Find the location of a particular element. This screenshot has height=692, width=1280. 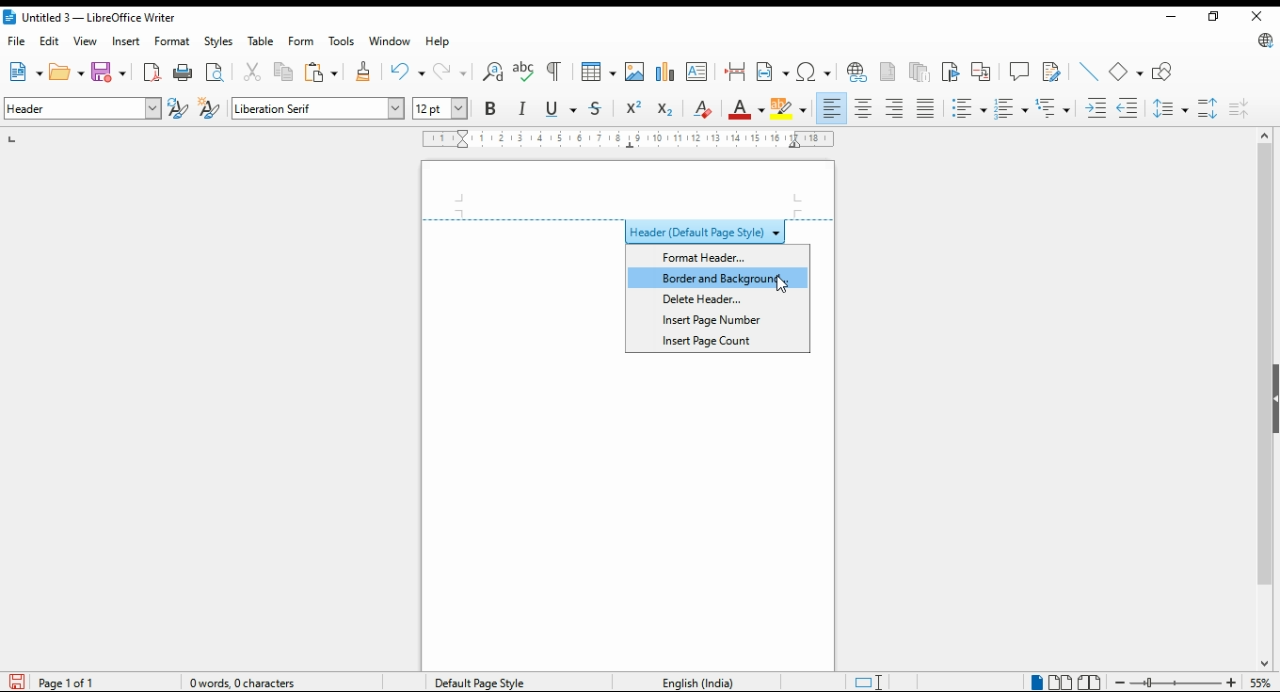

show draw functions is located at coordinates (1165, 72).